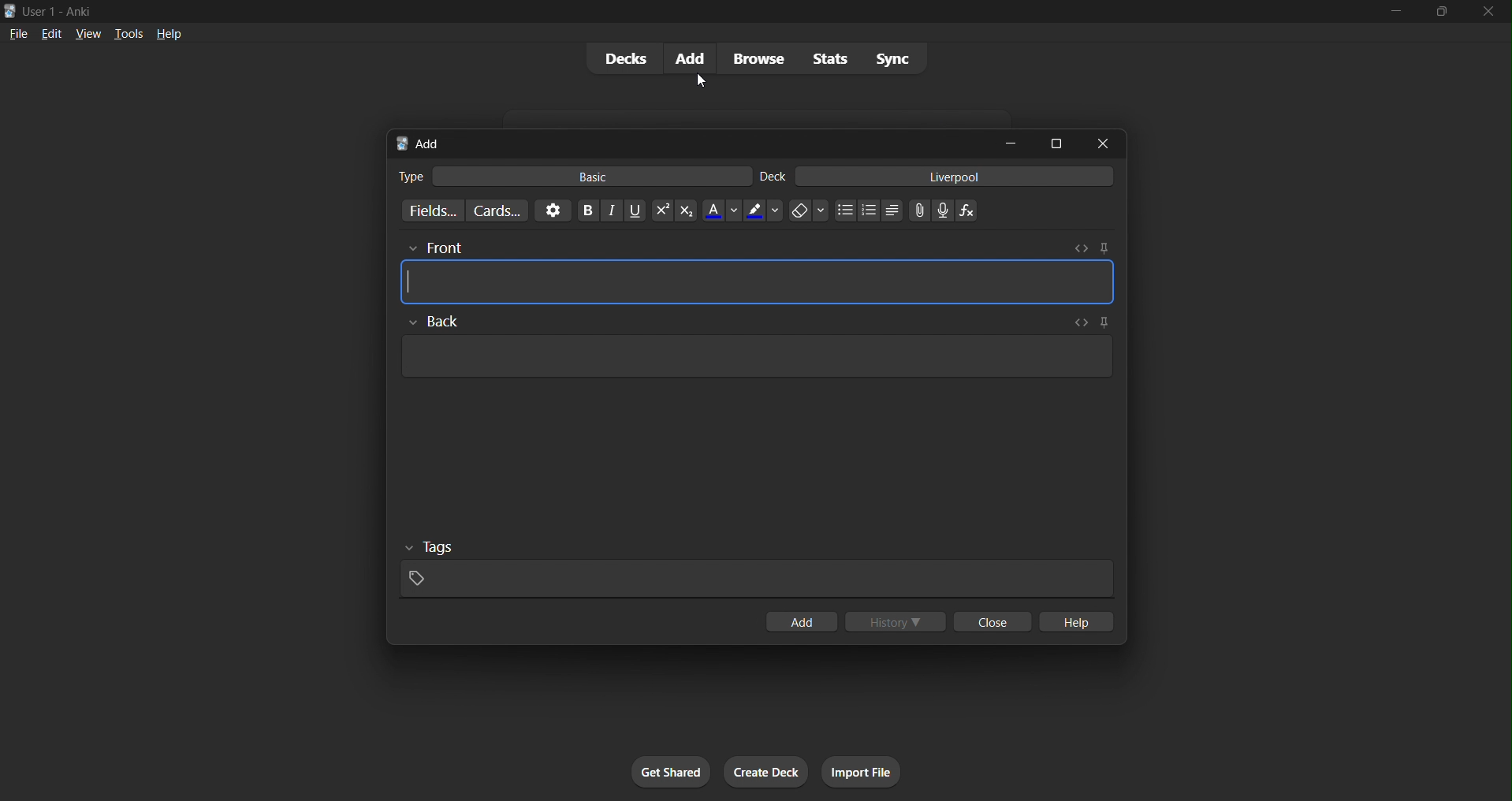 The image size is (1512, 801). Describe the element at coordinates (91, 32) in the screenshot. I see `view` at that location.